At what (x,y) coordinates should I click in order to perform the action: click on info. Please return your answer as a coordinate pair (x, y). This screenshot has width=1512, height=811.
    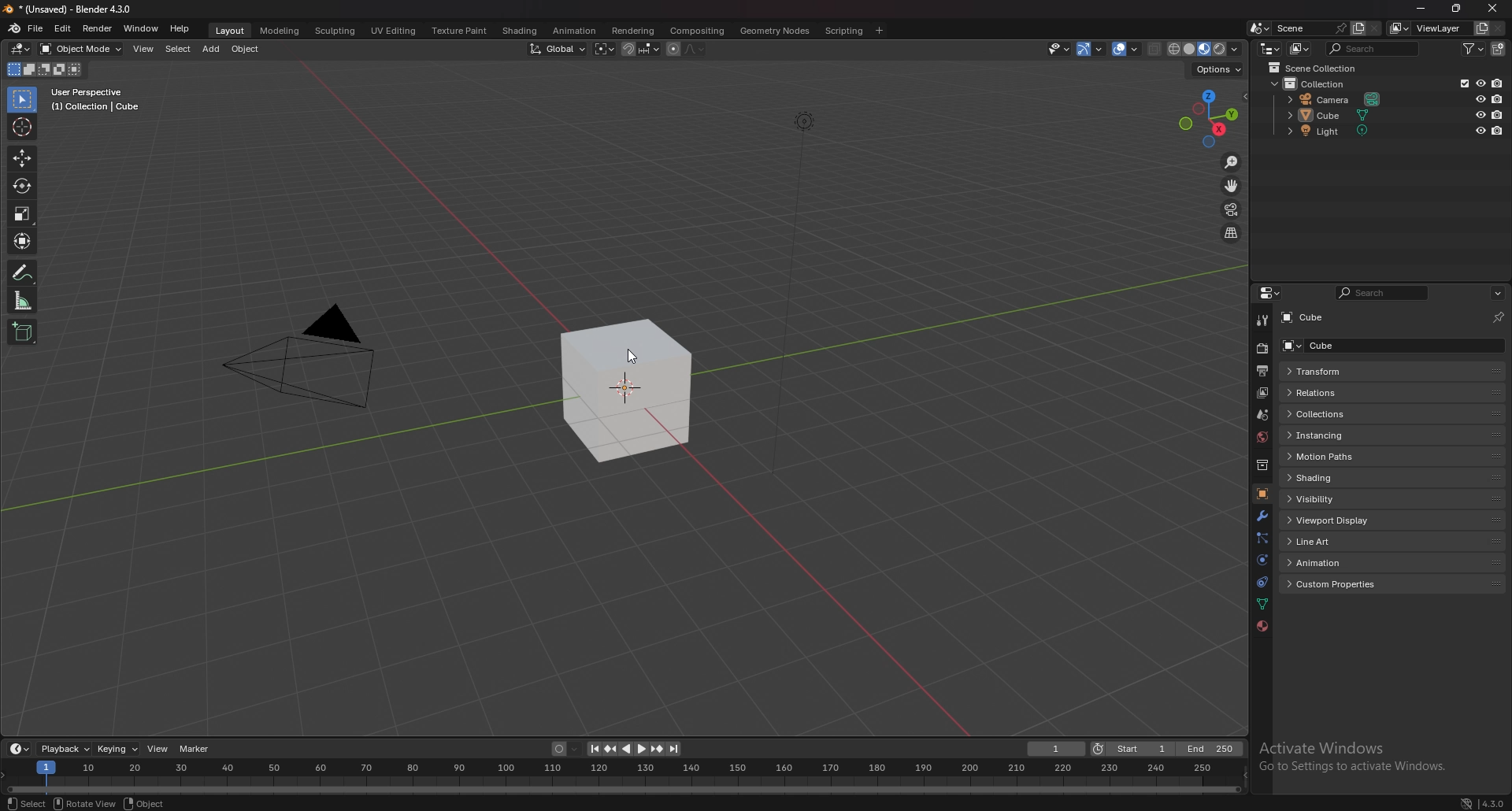
    Looking at the image, I should click on (96, 99).